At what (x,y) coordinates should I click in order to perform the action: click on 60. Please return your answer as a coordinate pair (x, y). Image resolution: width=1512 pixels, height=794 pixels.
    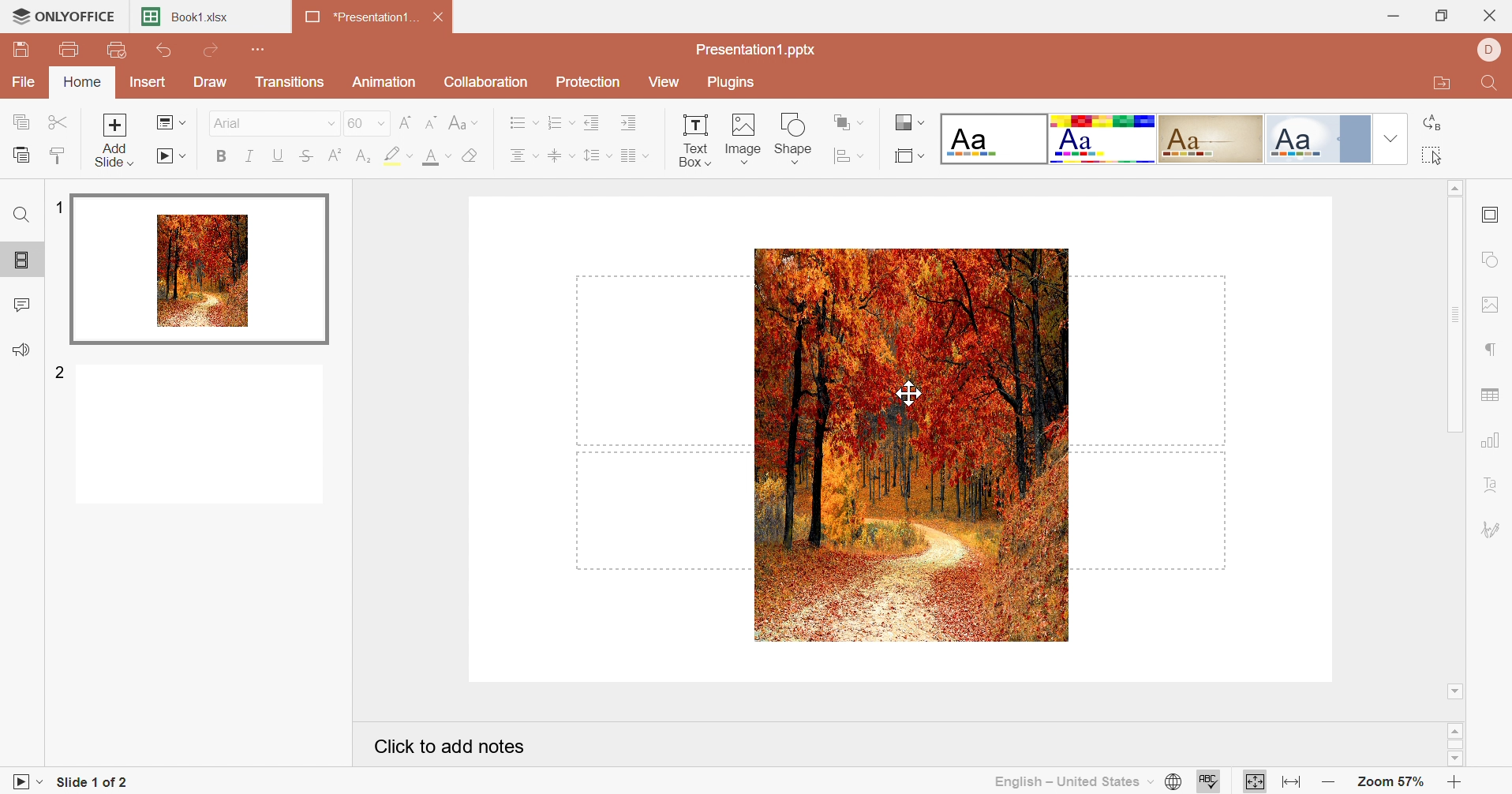
    Looking at the image, I should click on (365, 124).